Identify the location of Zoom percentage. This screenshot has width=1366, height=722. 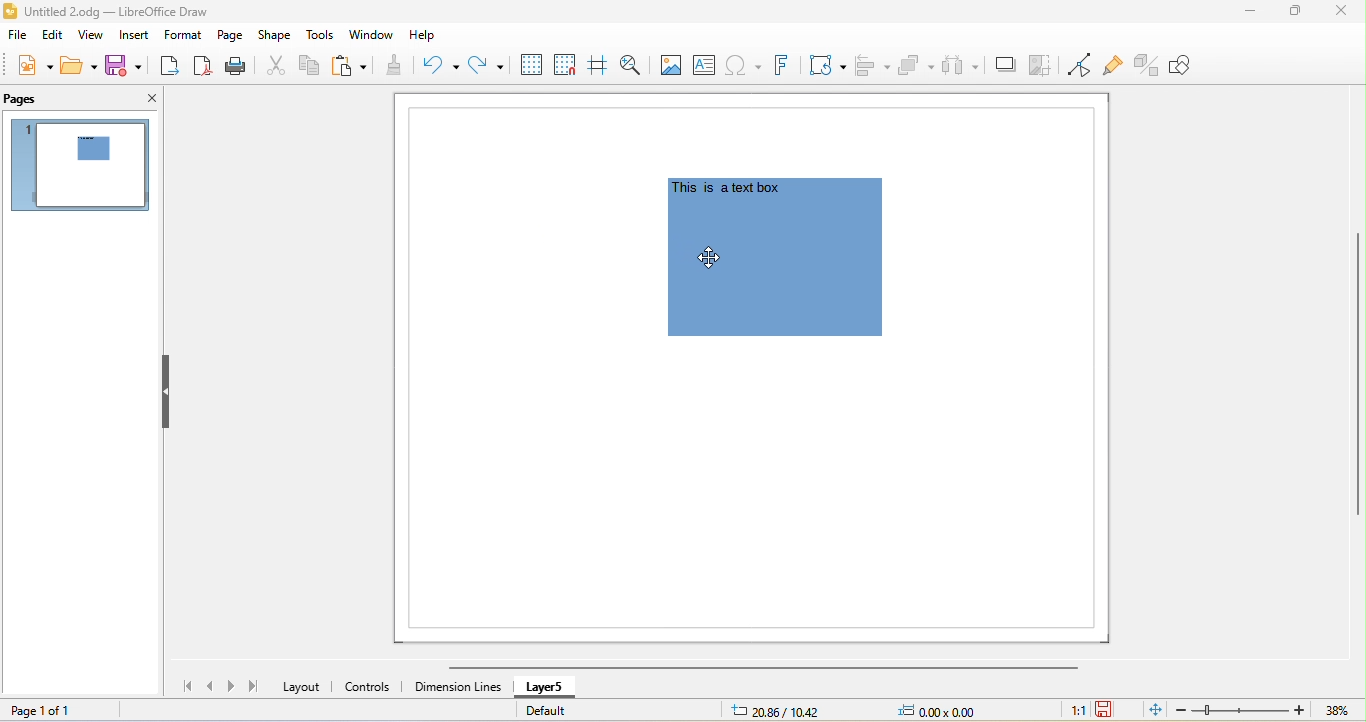
(1336, 711).